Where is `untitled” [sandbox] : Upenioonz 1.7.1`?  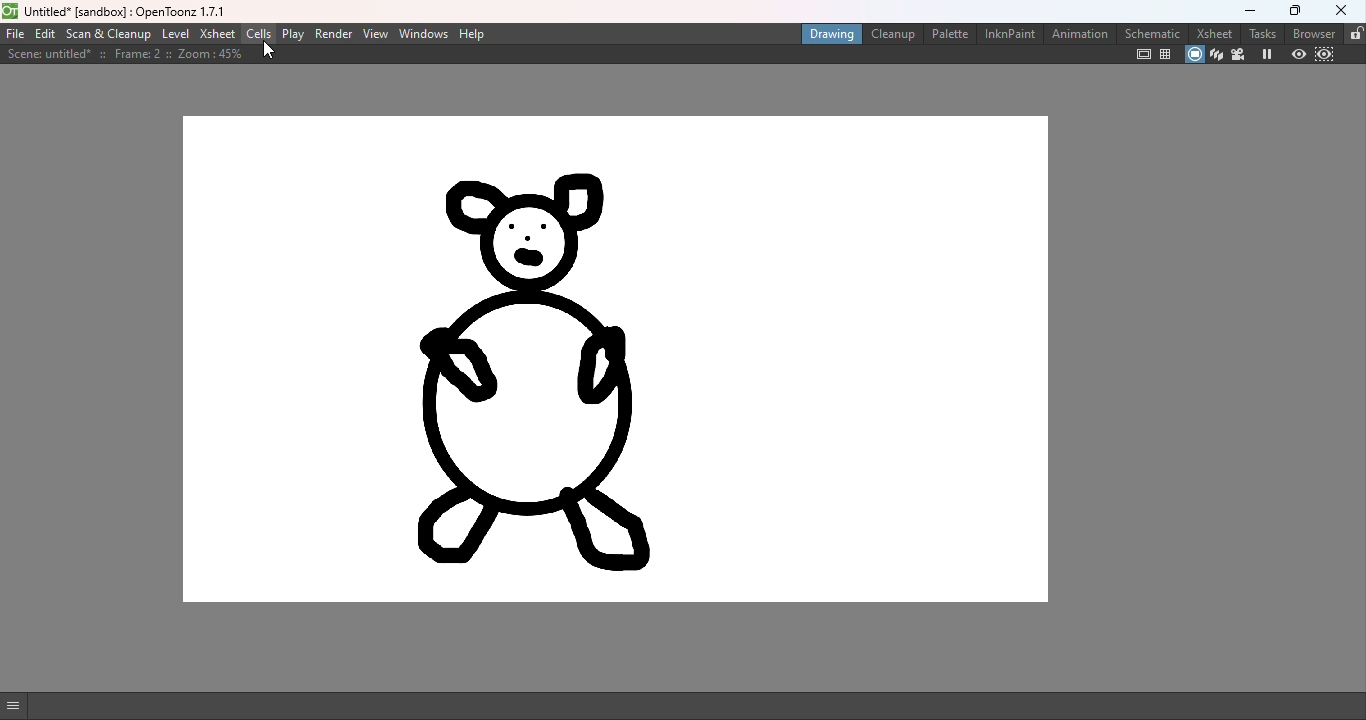 untitled” [sandbox] : Upenioonz 1.7.1 is located at coordinates (139, 11).